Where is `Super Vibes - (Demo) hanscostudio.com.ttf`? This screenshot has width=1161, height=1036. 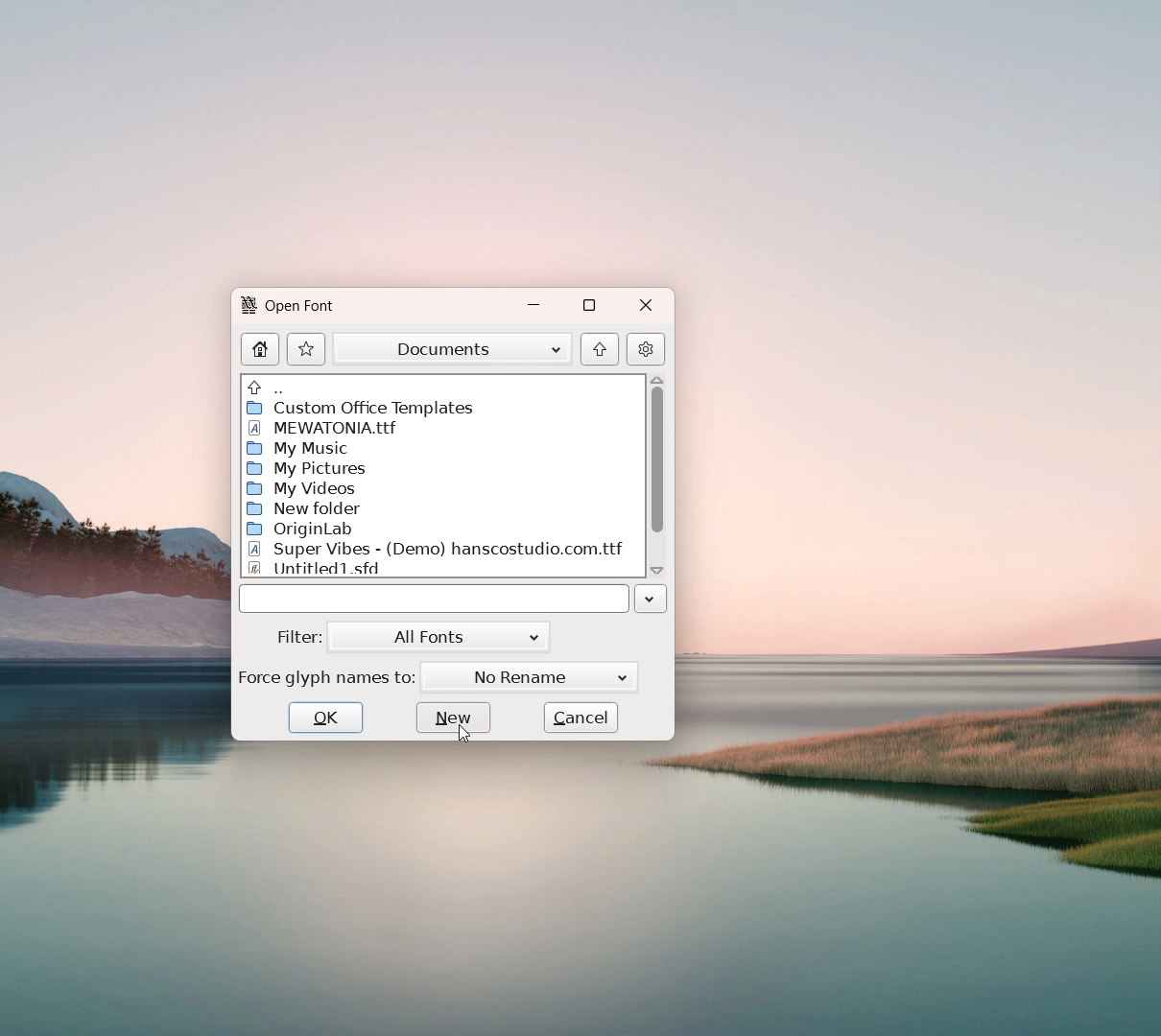 Super Vibes - (Demo) hanscostudio.com.ttf is located at coordinates (438, 549).